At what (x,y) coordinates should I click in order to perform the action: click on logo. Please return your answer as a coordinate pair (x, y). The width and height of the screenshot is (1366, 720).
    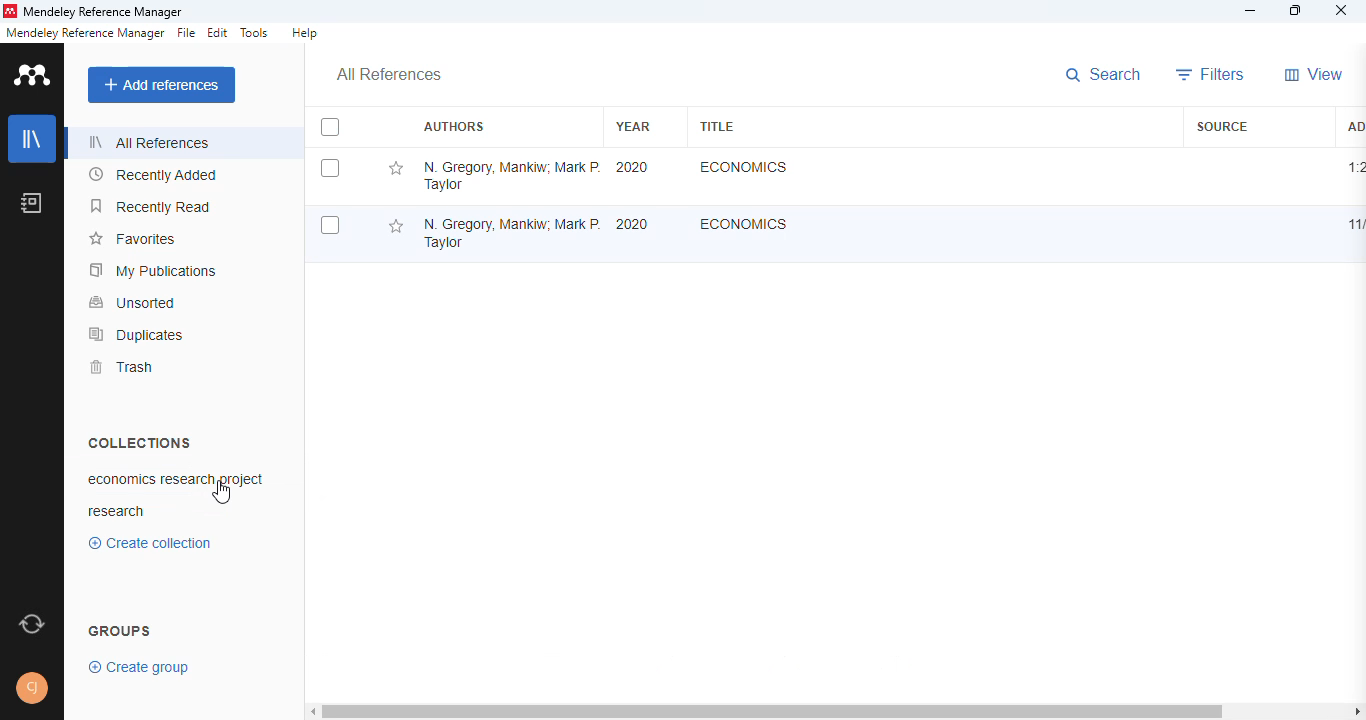
    Looking at the image, I should click on (9, 11).